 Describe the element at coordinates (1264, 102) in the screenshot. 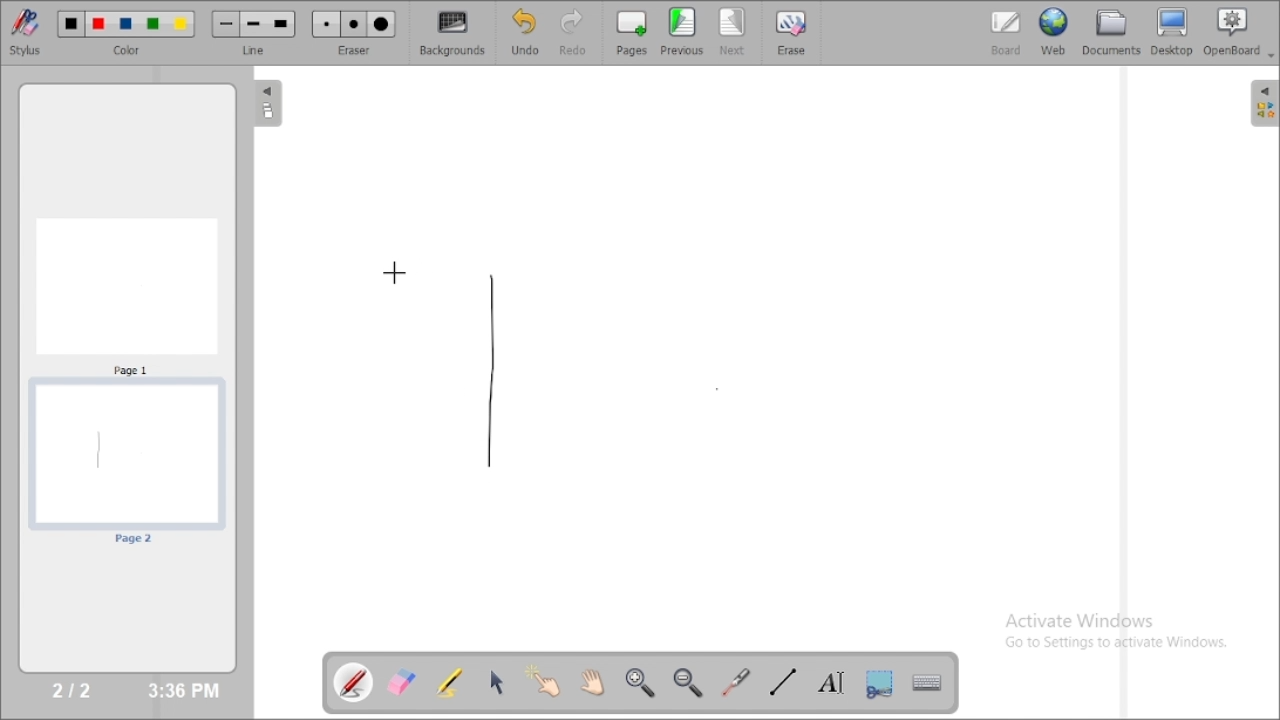

I see `The library` at that location.